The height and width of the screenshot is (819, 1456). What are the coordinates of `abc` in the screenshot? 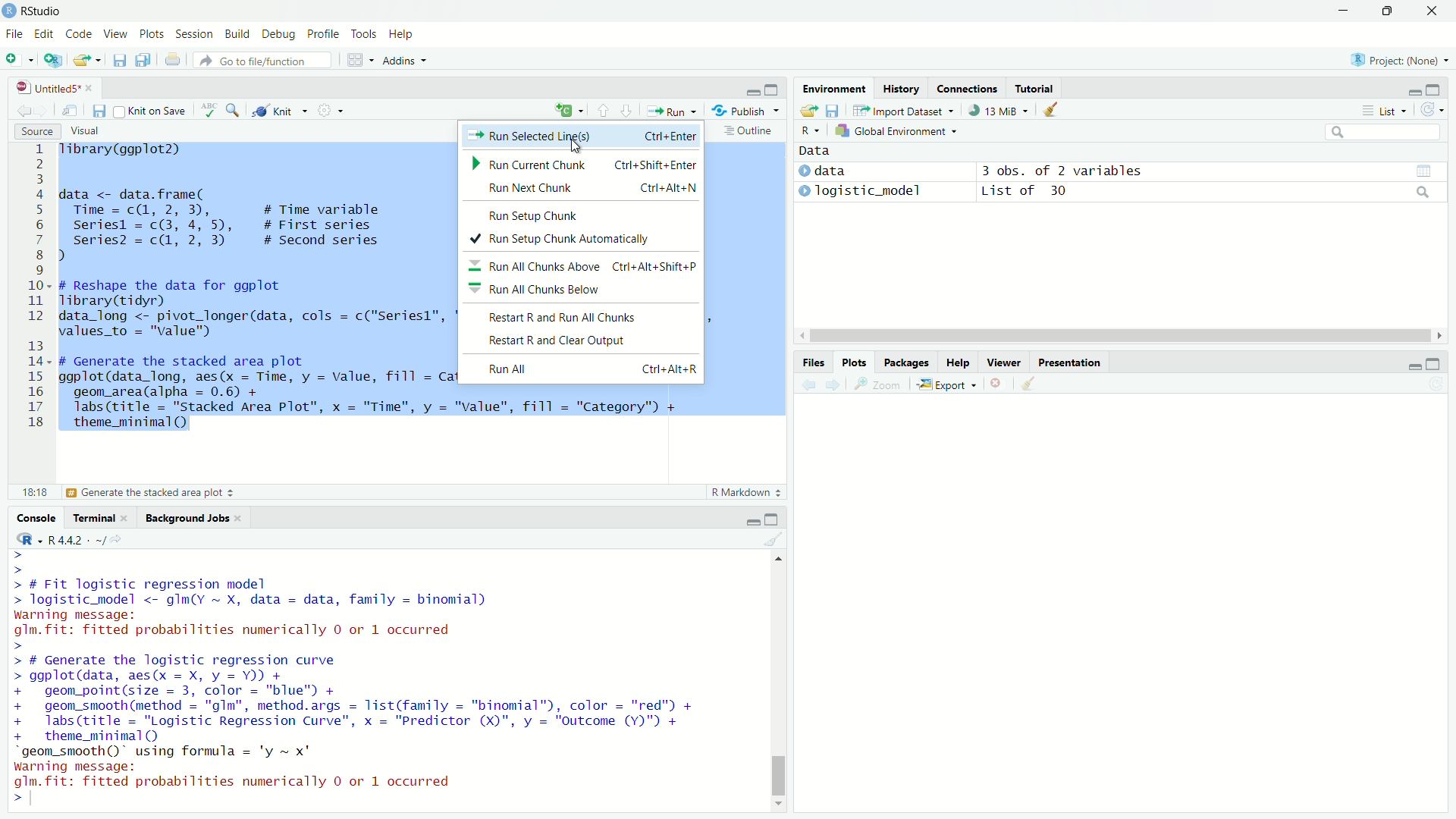 It's located at (209, 111).